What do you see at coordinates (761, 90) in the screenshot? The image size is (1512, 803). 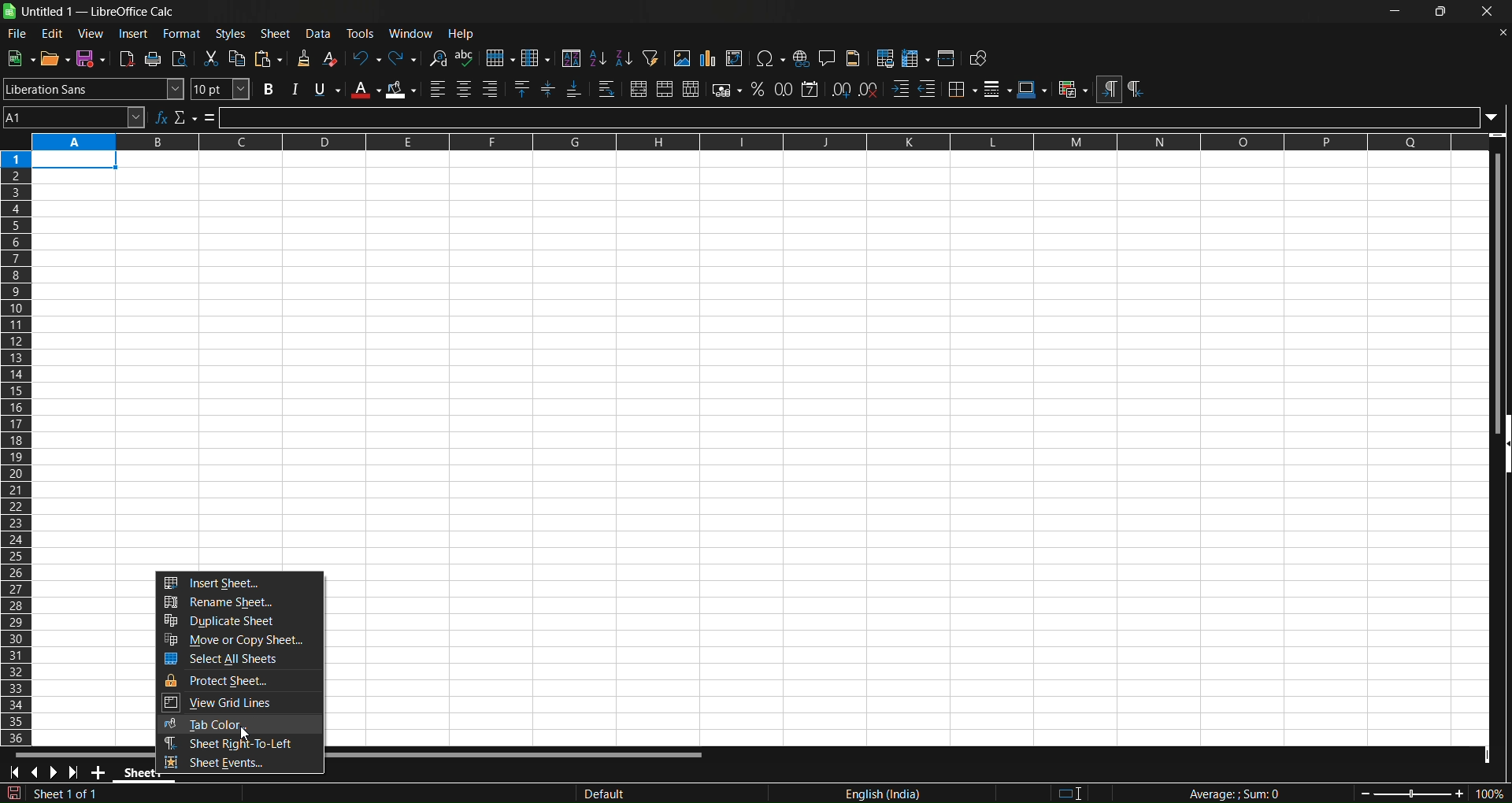 I see `format  as percent` at bounding box center [761, 90].